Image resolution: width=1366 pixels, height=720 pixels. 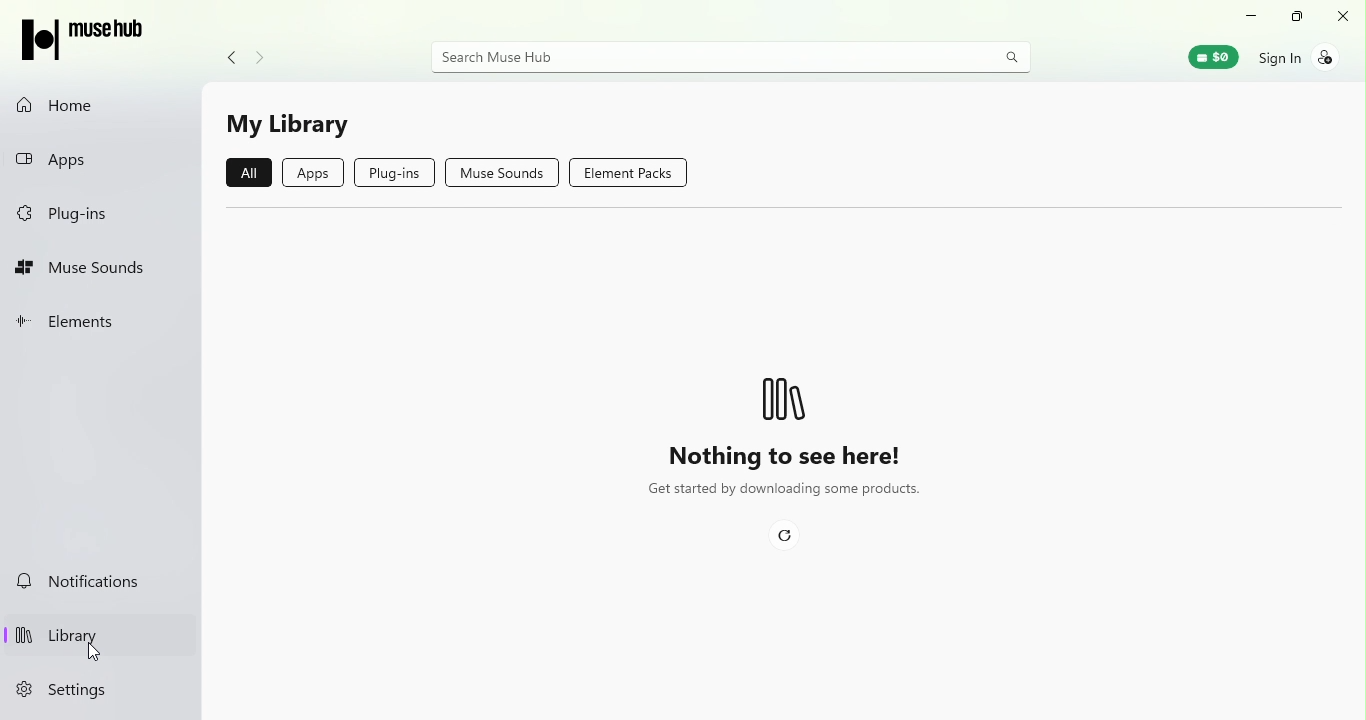 I want to click on Muse Hub Logo, so click(x=87, y=33).